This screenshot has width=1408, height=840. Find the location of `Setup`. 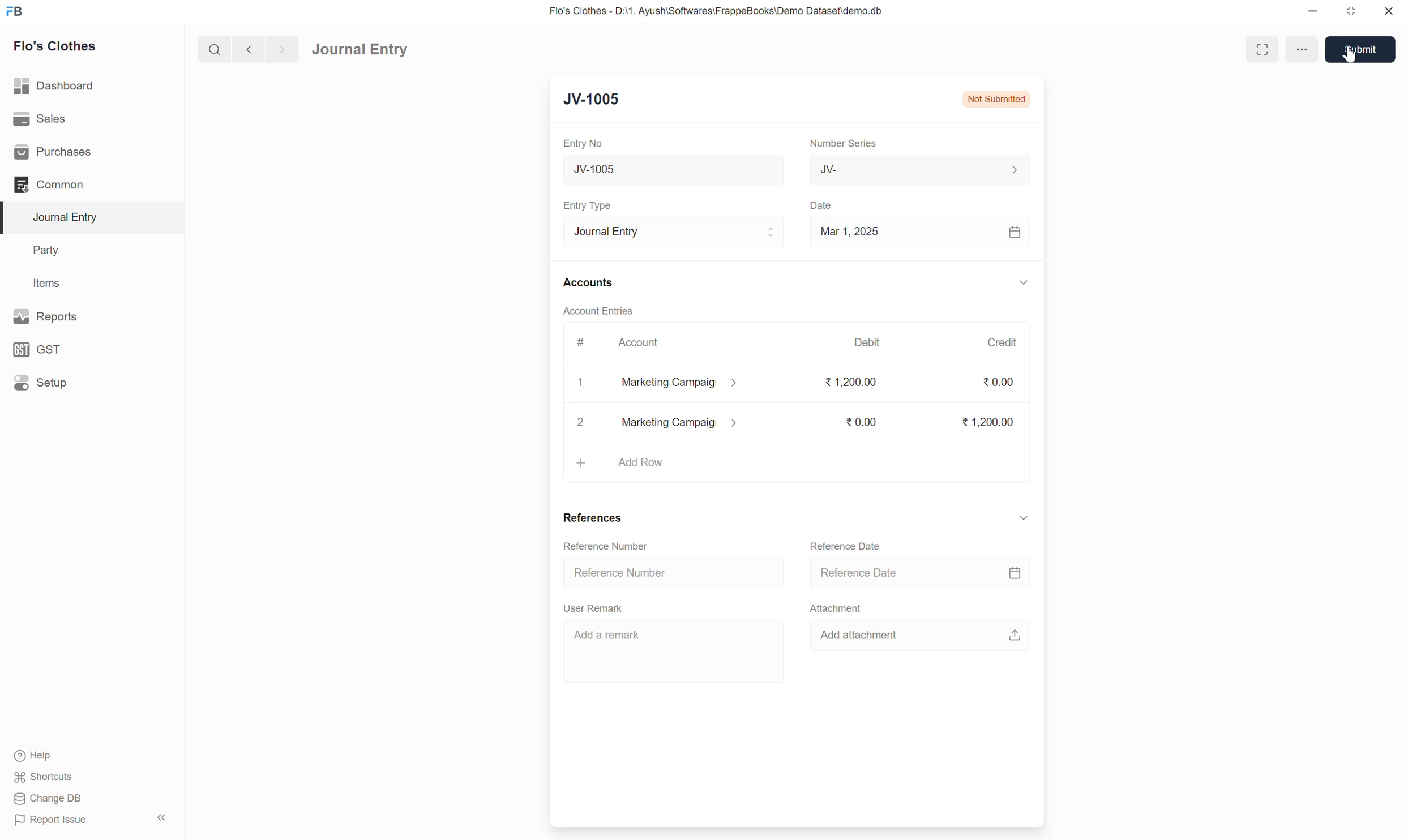

Setup is located at coordinates (41, 382).